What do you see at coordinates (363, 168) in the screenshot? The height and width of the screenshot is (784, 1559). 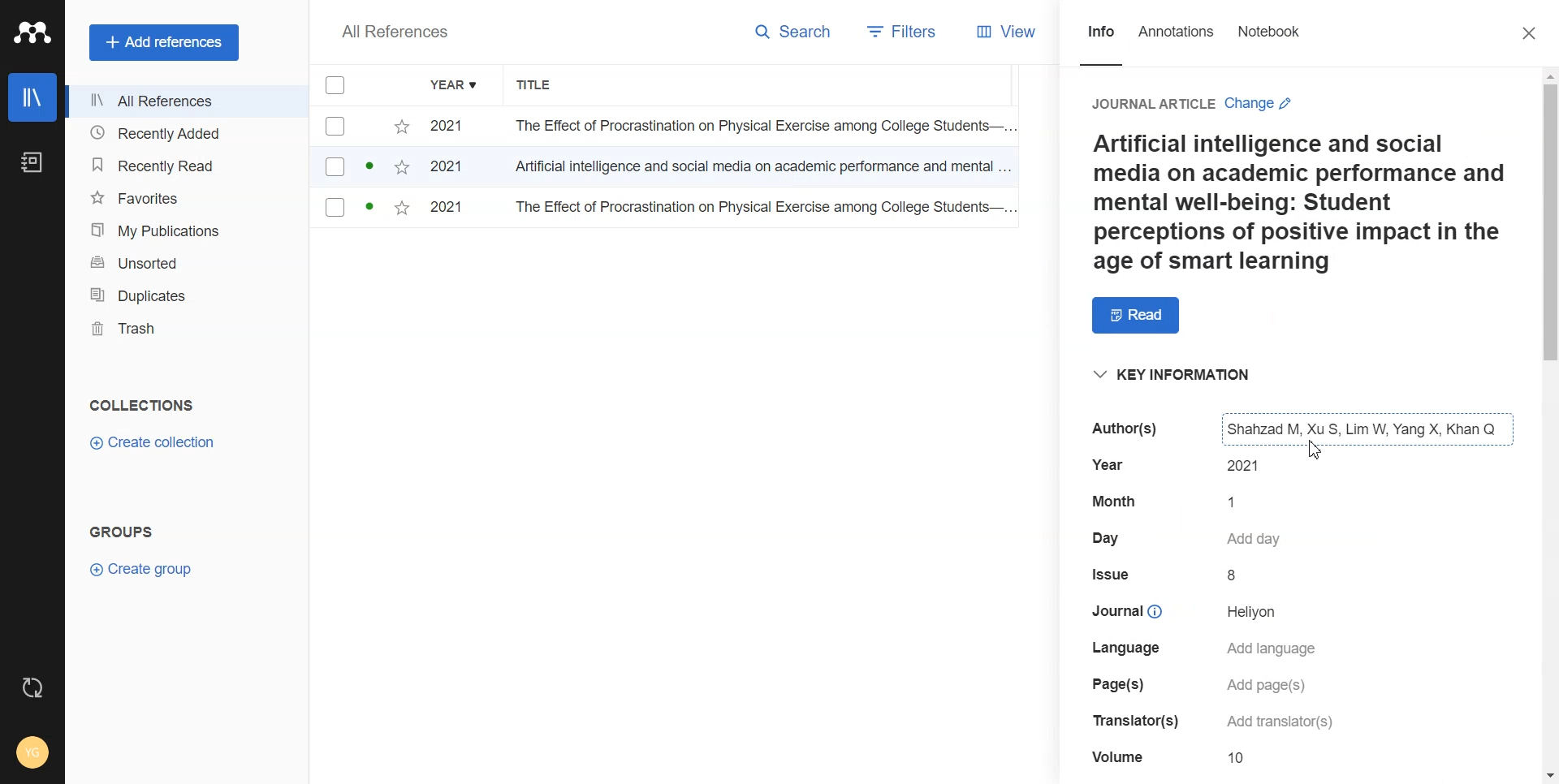 I see `checkbox` at bounding box center [363, 168].